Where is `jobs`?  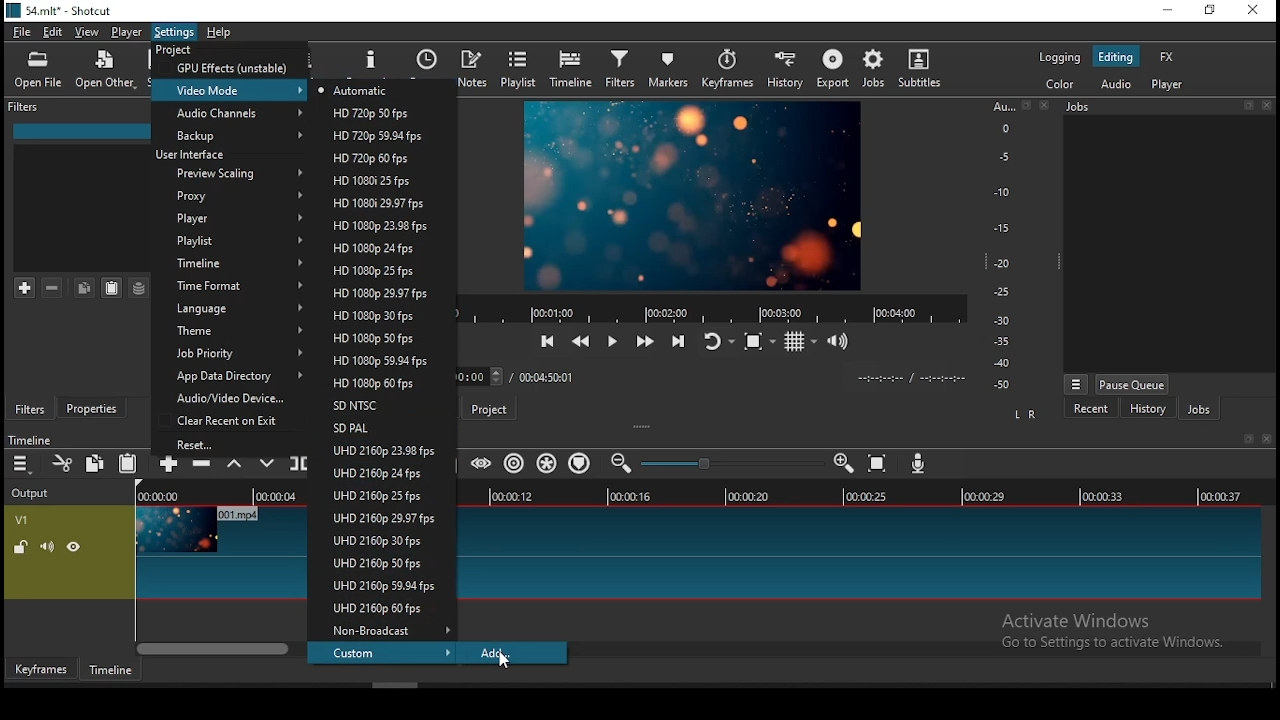
jobs is located at coordinates (1199, 410).